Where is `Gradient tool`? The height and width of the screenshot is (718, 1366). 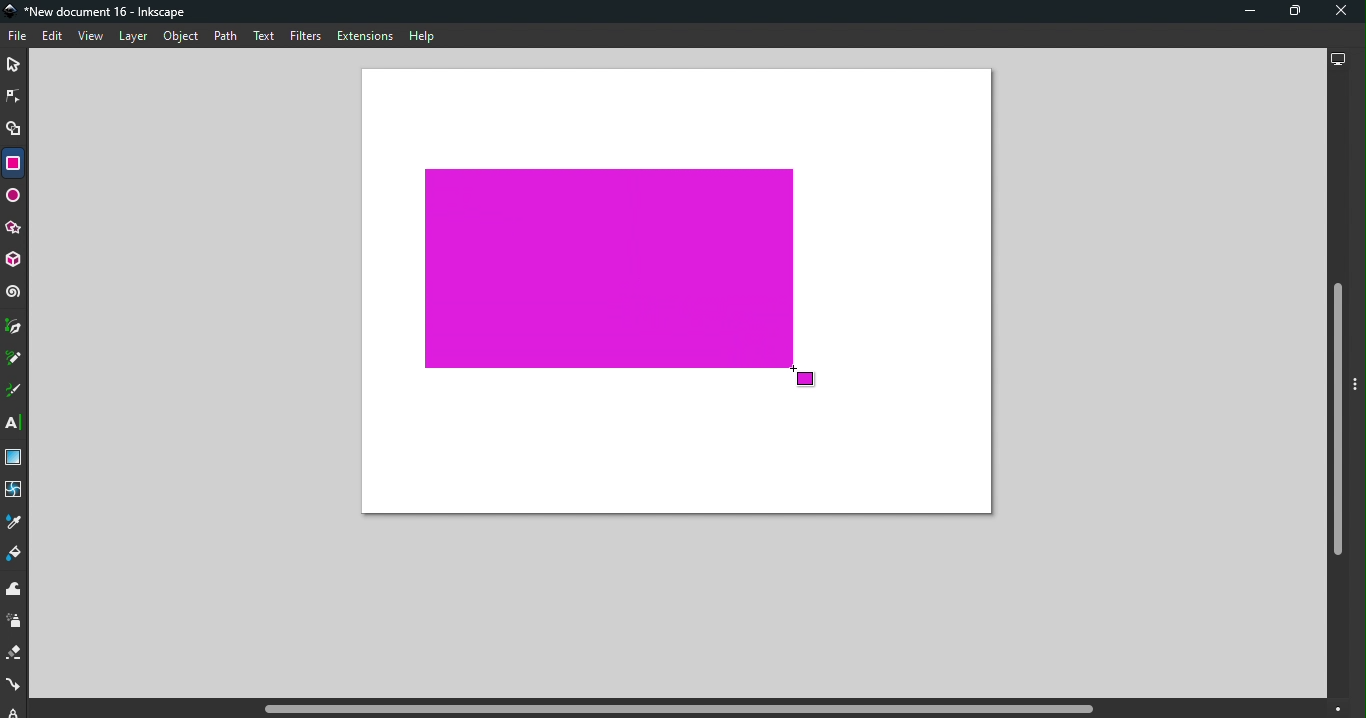 Gradient tool is located at coordinates (16, 458).